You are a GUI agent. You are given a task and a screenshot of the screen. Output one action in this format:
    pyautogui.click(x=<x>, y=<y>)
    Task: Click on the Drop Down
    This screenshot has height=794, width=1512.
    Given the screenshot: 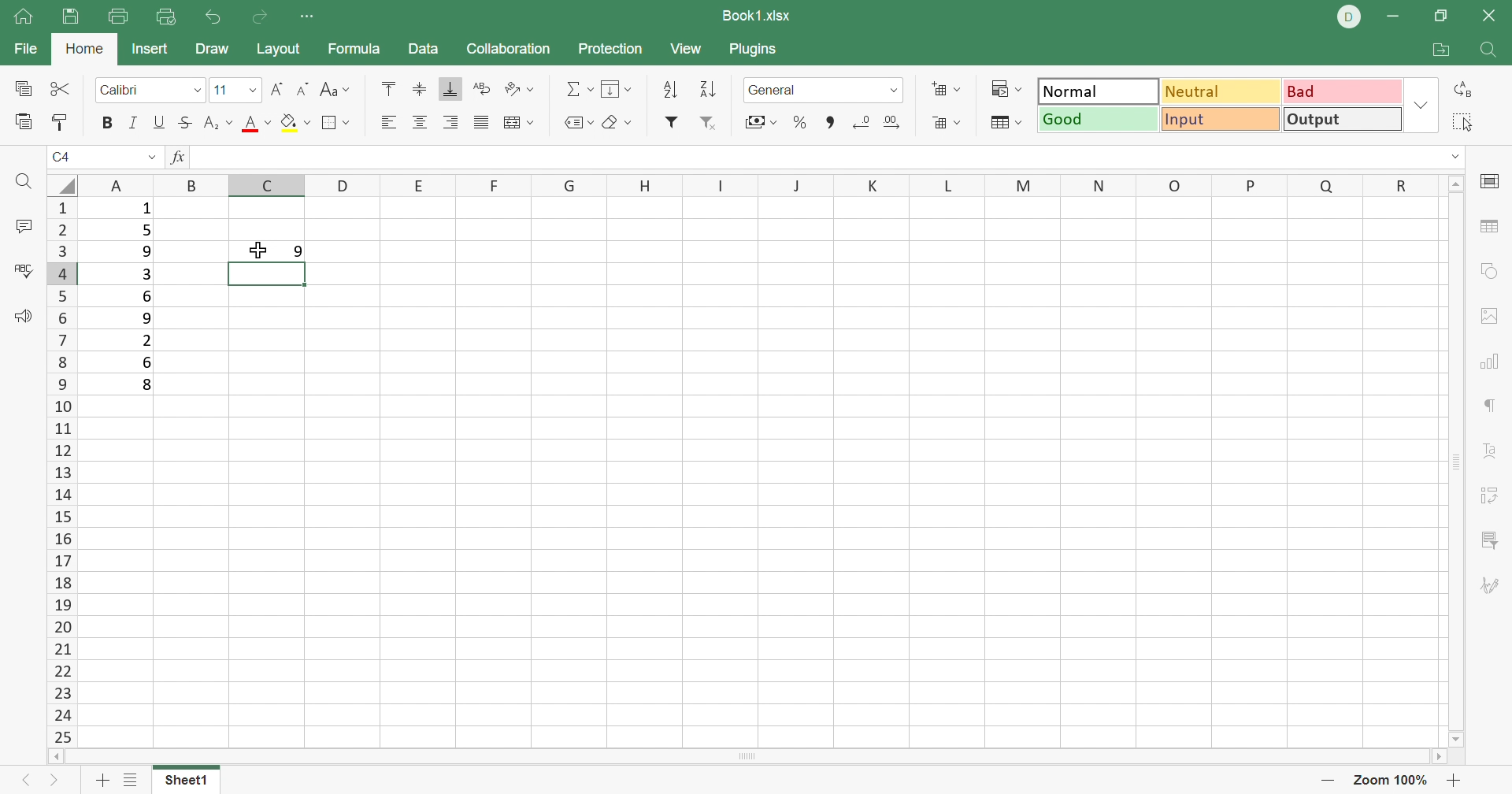 What is the action you would take?
    pyautogui.click(x=150, y=157)
    